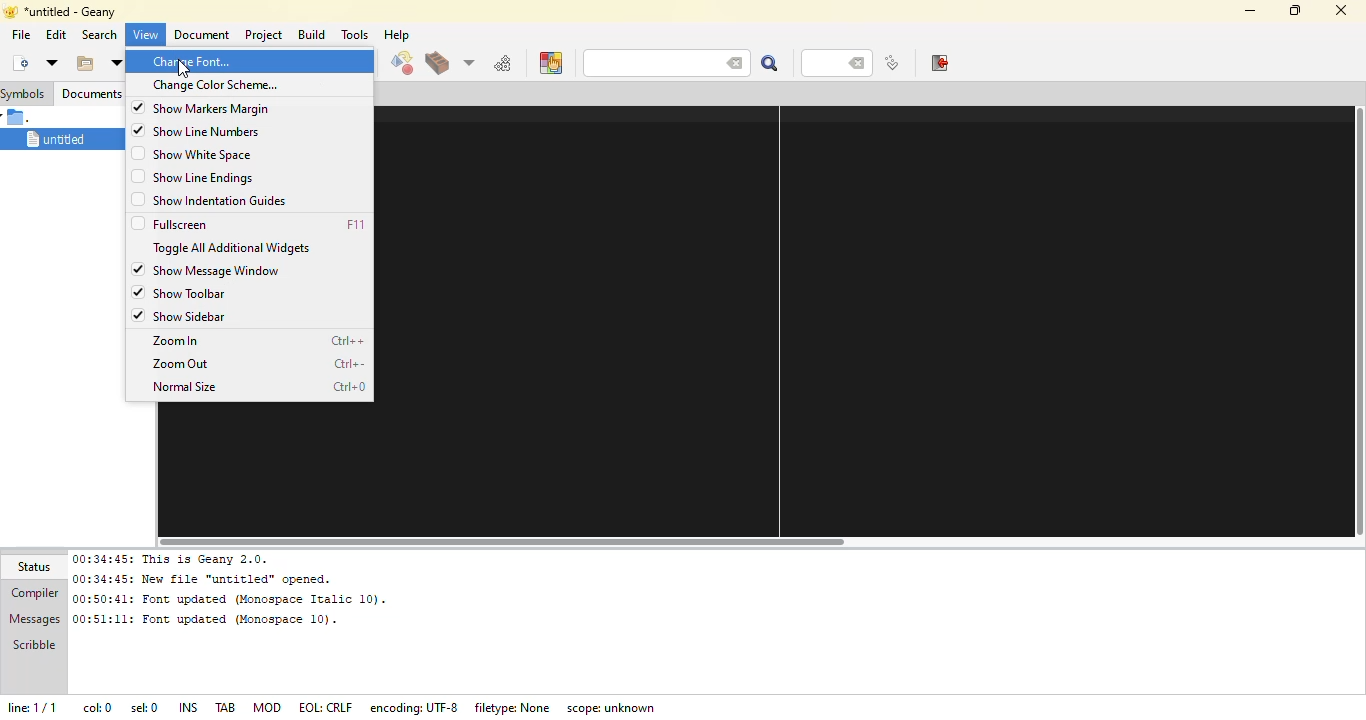 Image resolution: width=1366 pixels, height=720 pixels. What do you see at coordinates (184, 363) in the screenshot?
I see `zoom out` at bounding box center [184, 363].